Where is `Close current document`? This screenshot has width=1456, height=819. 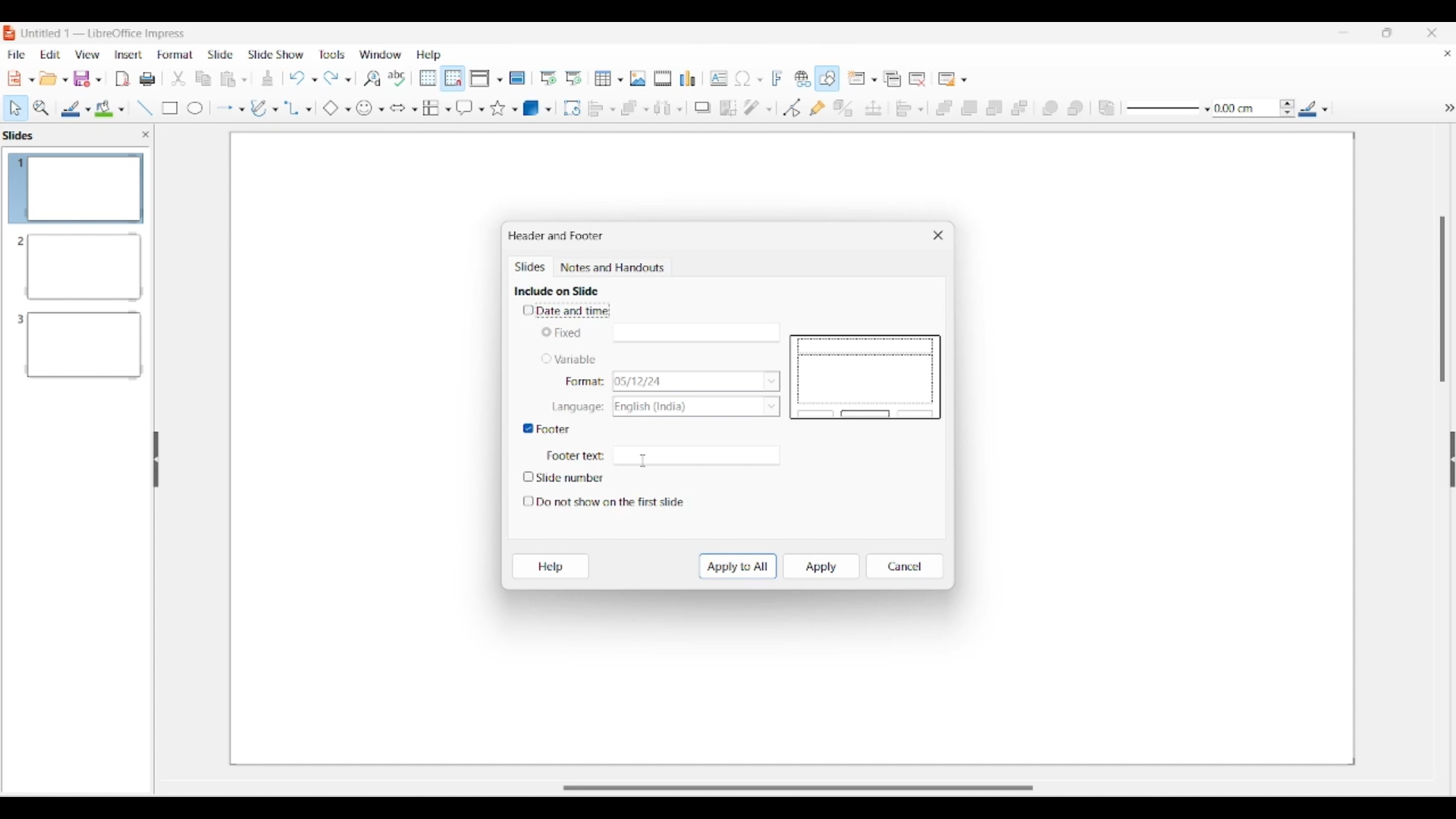 Close current document is located at coordinates (1448, 53).